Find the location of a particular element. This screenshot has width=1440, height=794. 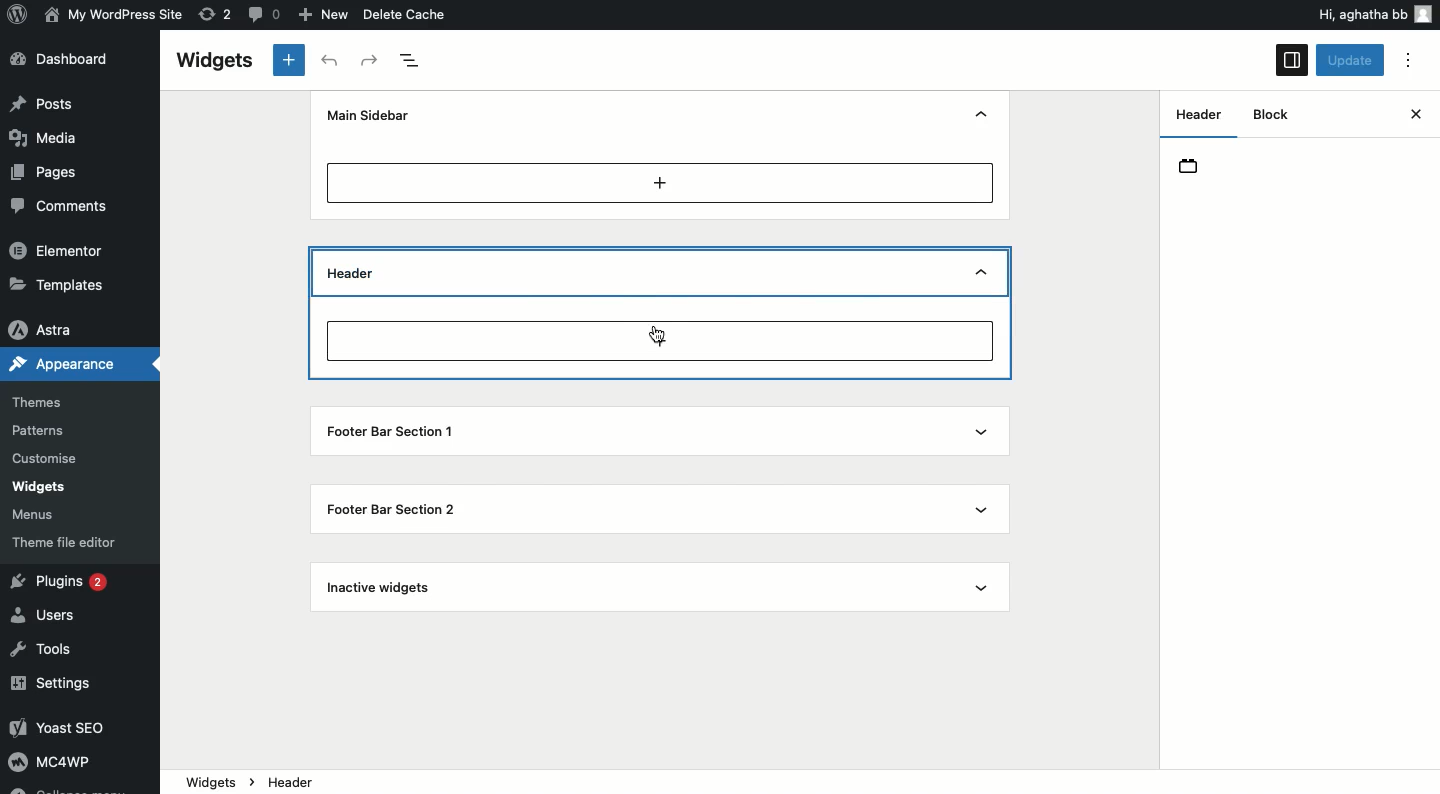

Logo is located at coordinates (19, 13).